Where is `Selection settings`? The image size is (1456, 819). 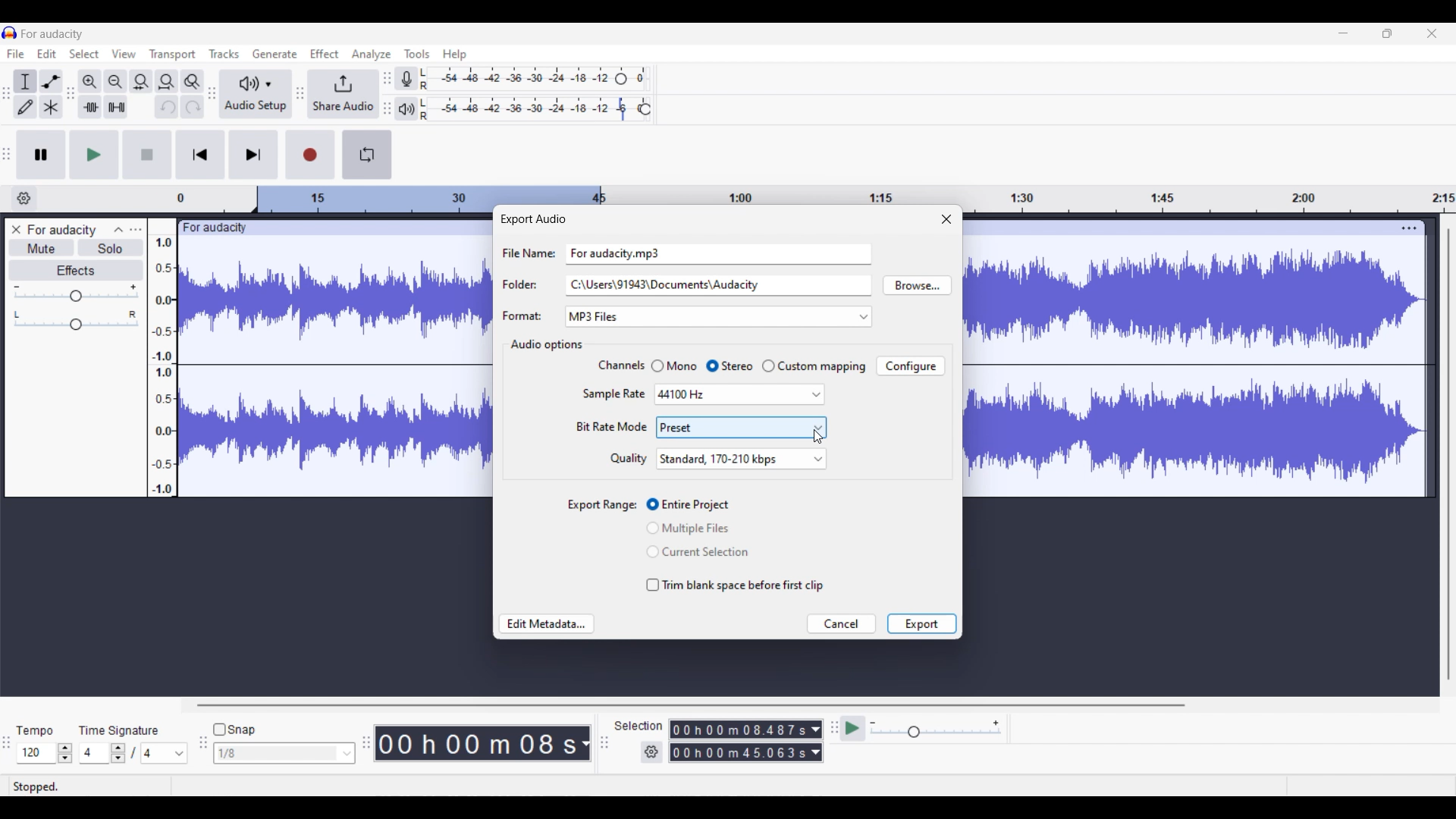 Selection settings is located at coordinates (652, 752).